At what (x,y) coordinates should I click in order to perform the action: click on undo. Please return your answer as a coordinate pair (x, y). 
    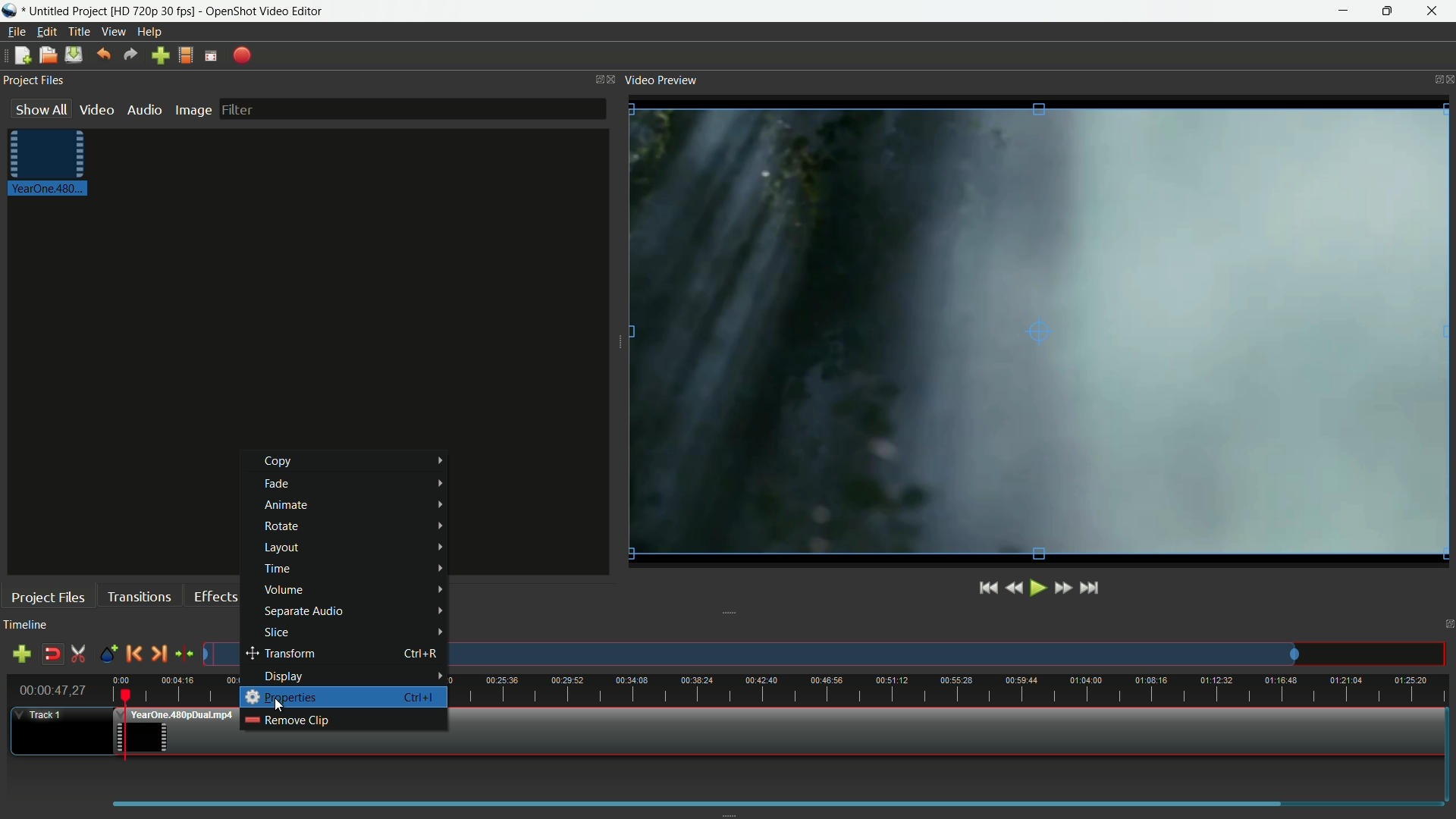
    Looking at the image, I should click on (103, 55).